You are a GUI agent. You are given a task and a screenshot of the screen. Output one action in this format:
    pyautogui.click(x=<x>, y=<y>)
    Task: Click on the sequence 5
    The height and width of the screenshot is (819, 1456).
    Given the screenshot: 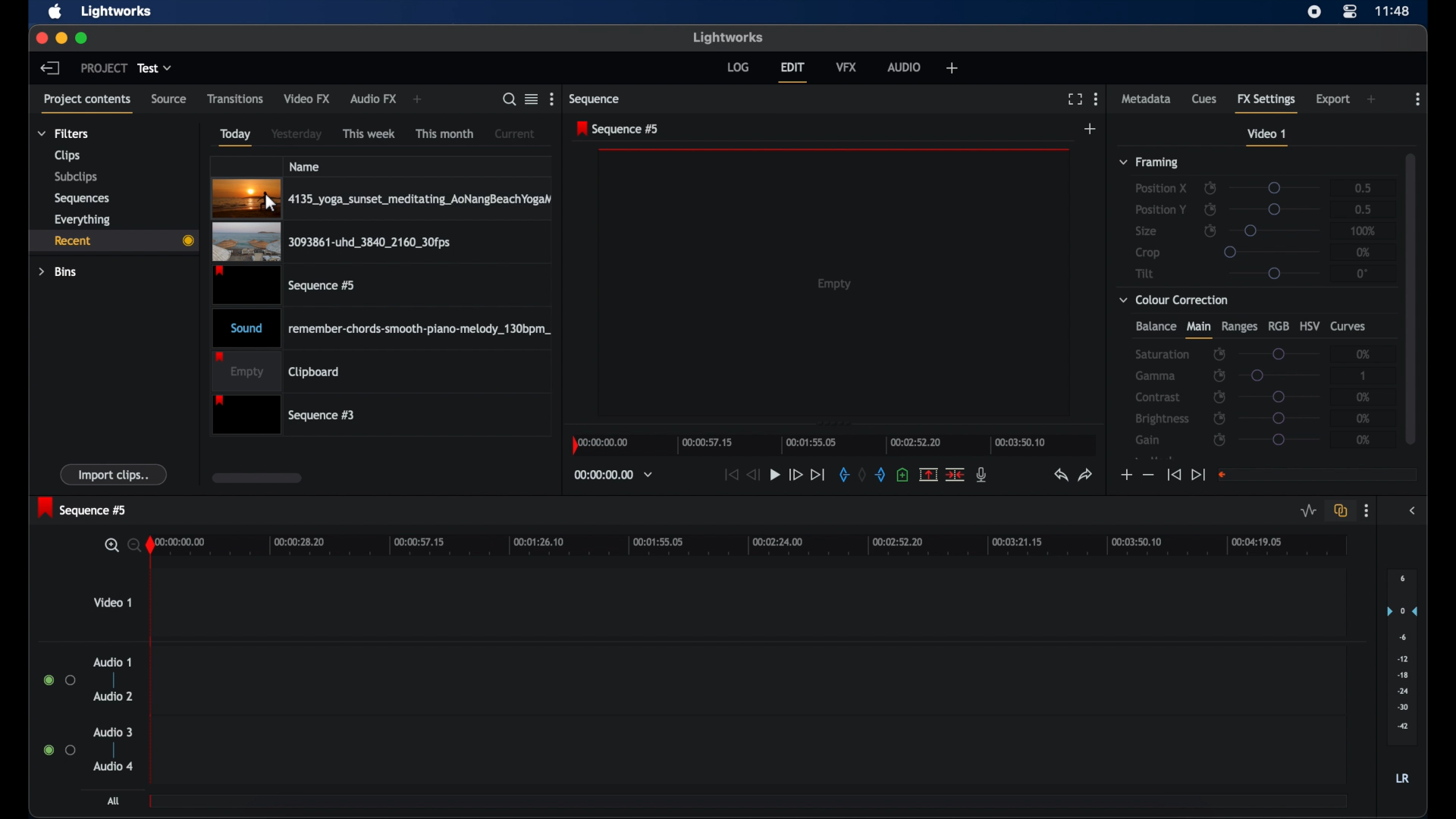 What is the action you would take?
    pyautogui.click(x=83, y=507)
    